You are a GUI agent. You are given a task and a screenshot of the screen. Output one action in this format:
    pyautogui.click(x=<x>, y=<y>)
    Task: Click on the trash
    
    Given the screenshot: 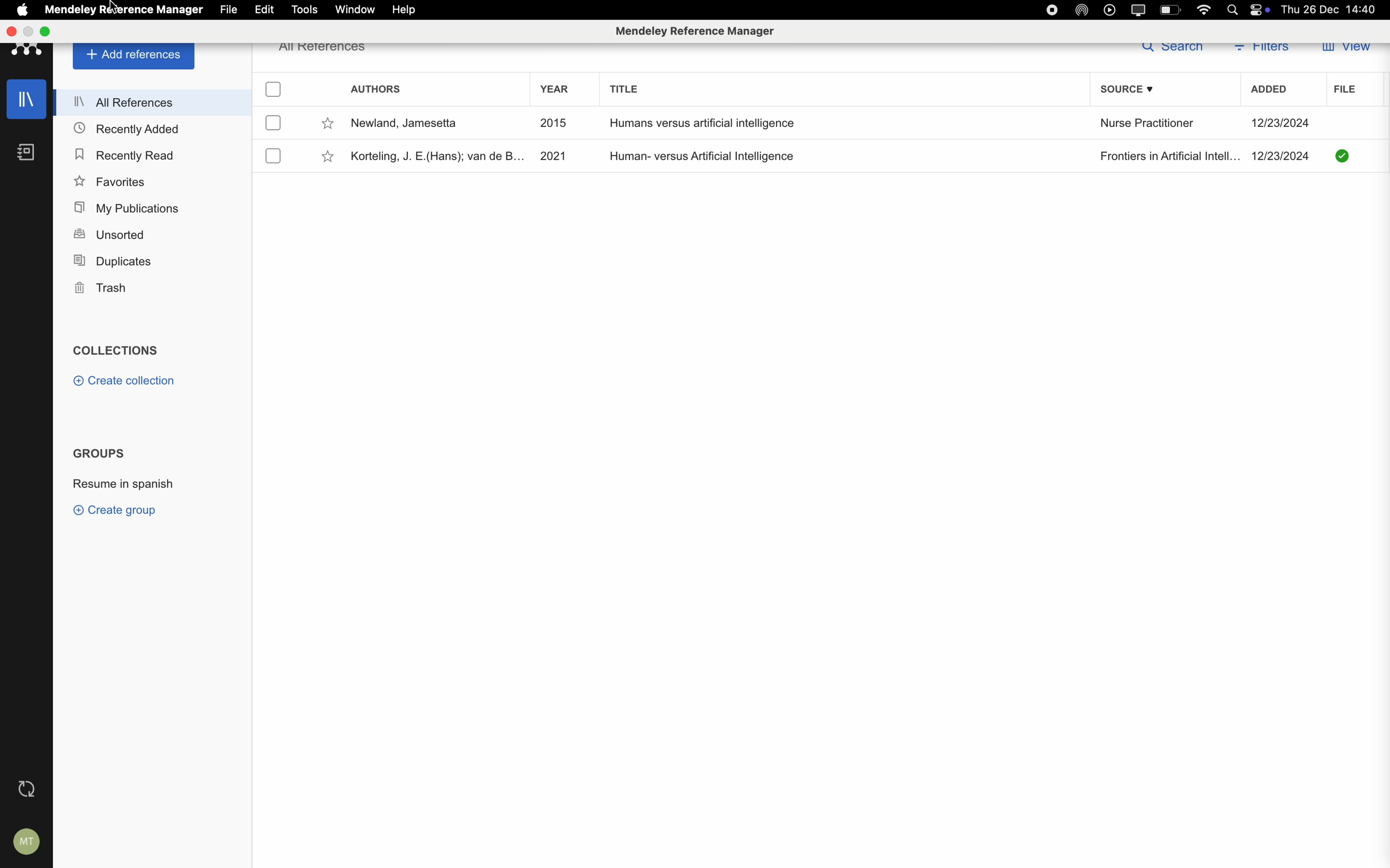 What is the action you would take?
    pyautogui.click(x=100, y=288)
    